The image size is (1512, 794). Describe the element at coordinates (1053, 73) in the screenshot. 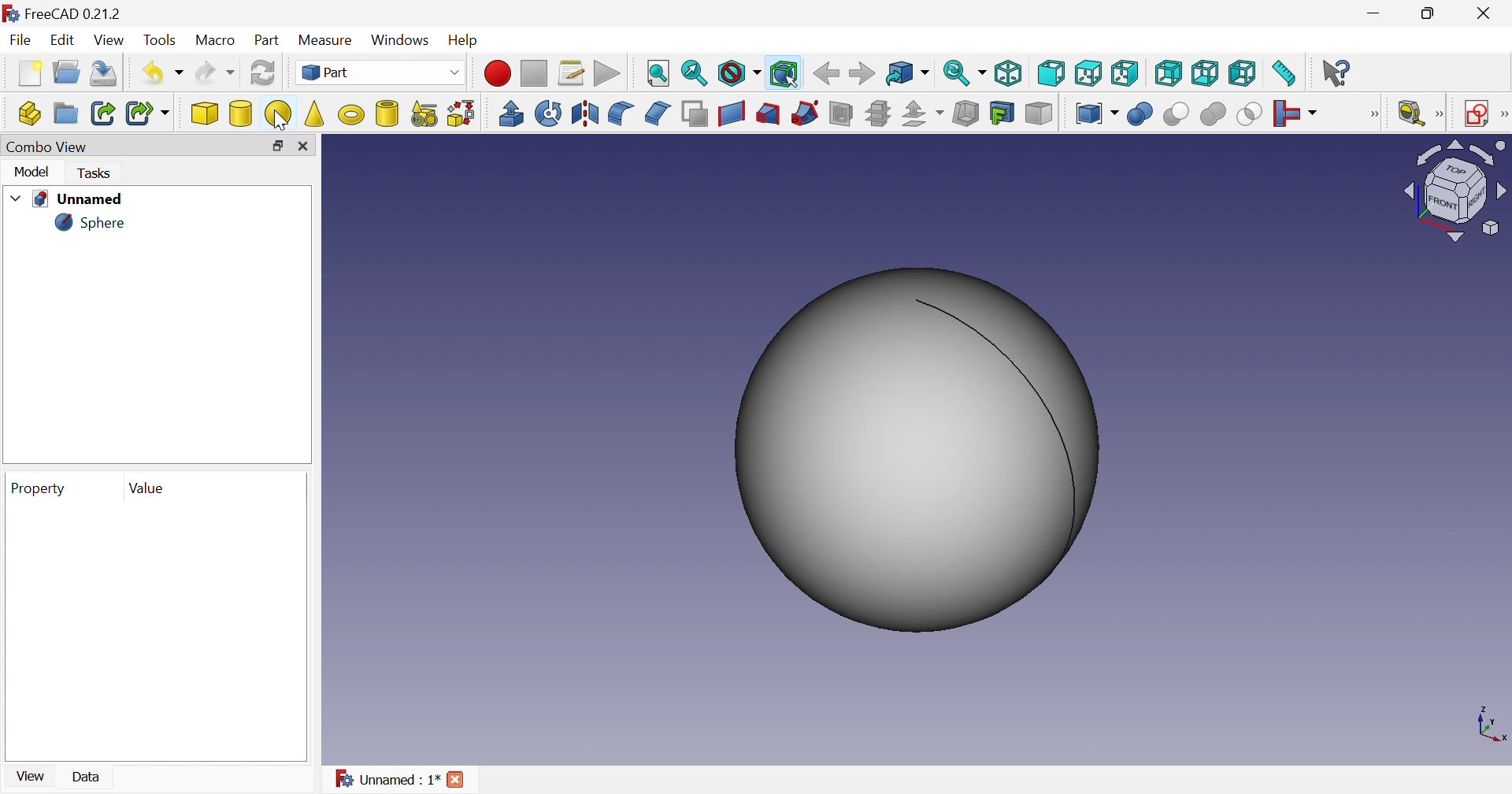

I see `Front` at that location.